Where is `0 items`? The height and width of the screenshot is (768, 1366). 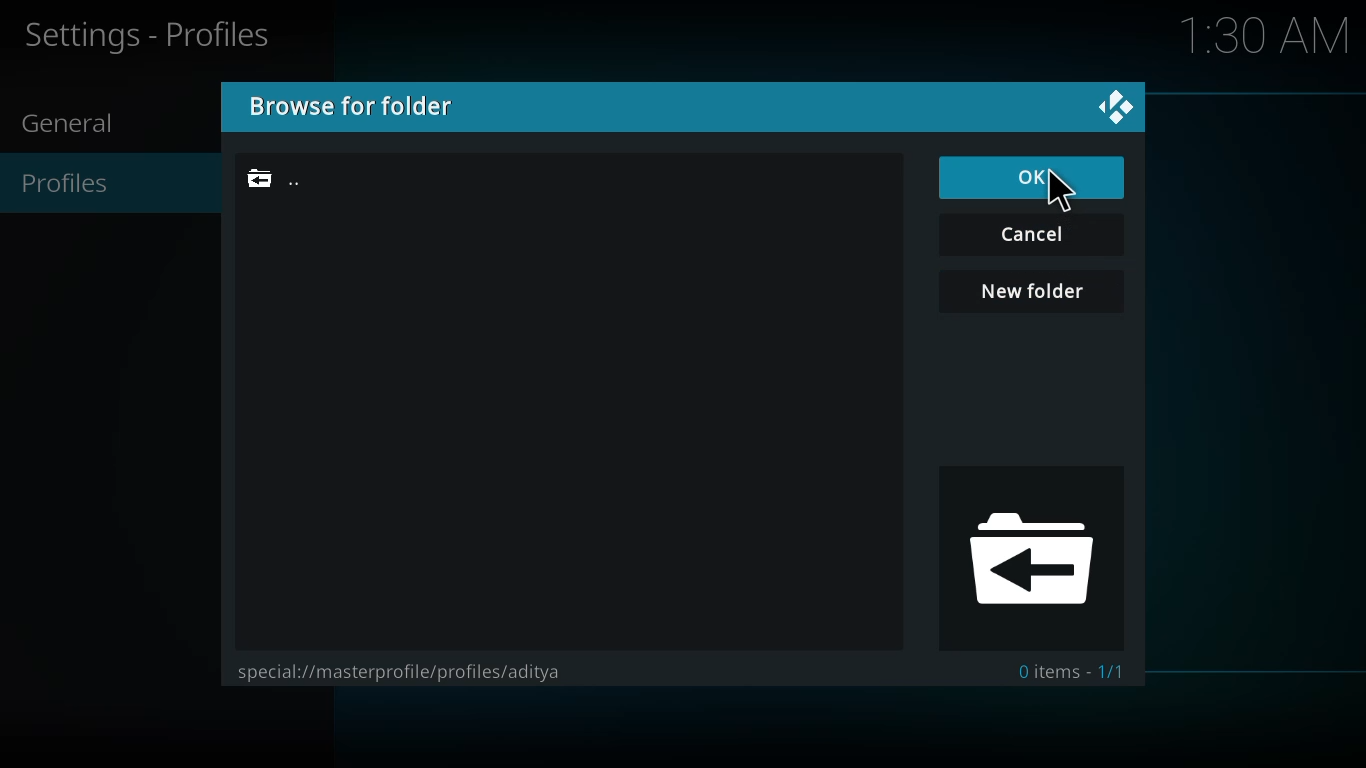
0 items is located at coordinates (1072, 668).